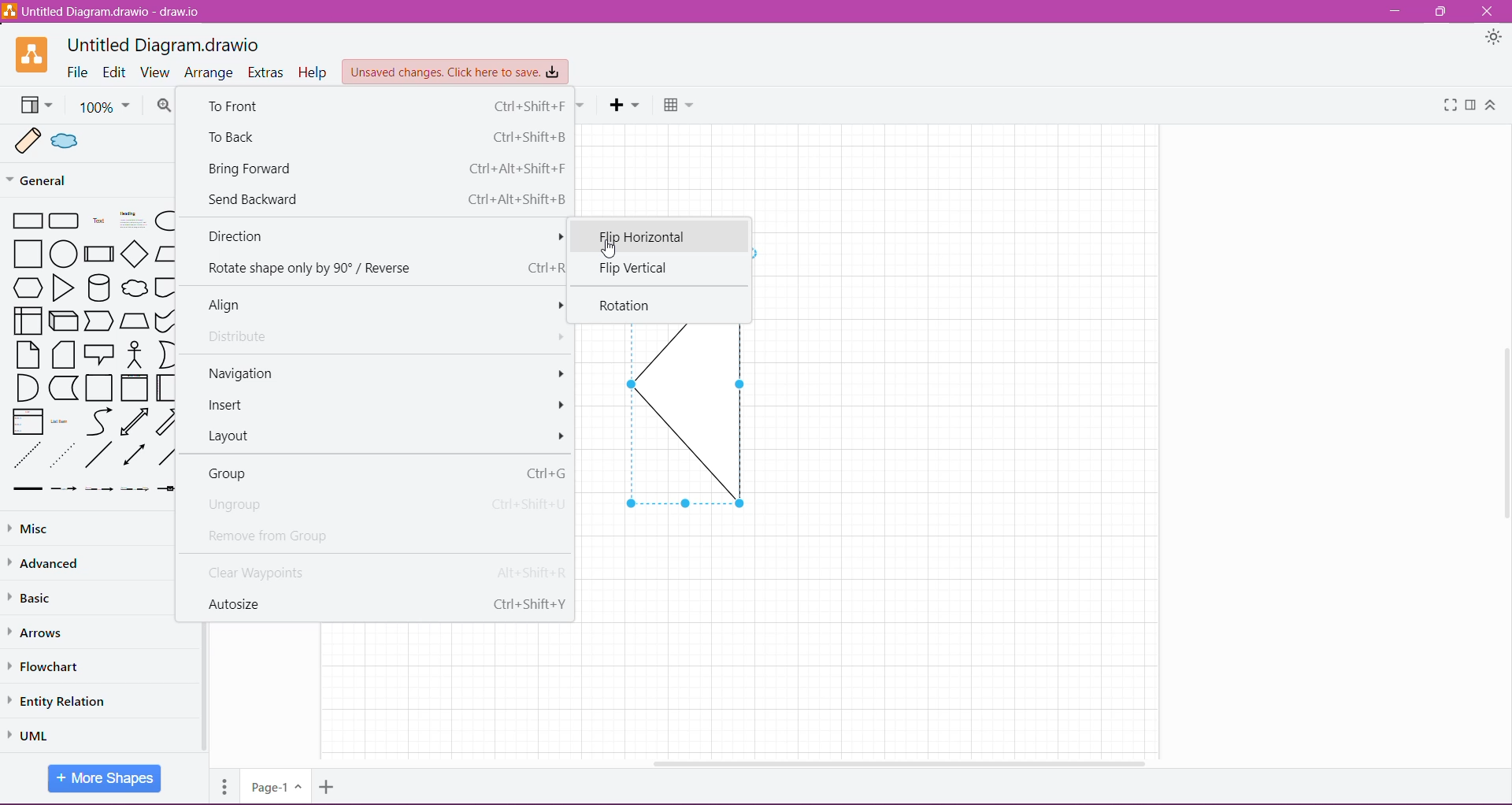 This screenshot has width=1512, height=805. What do you see at coordinates (380, 305) in the screenshot?
I see `Align` at bounding box center [380, 305].